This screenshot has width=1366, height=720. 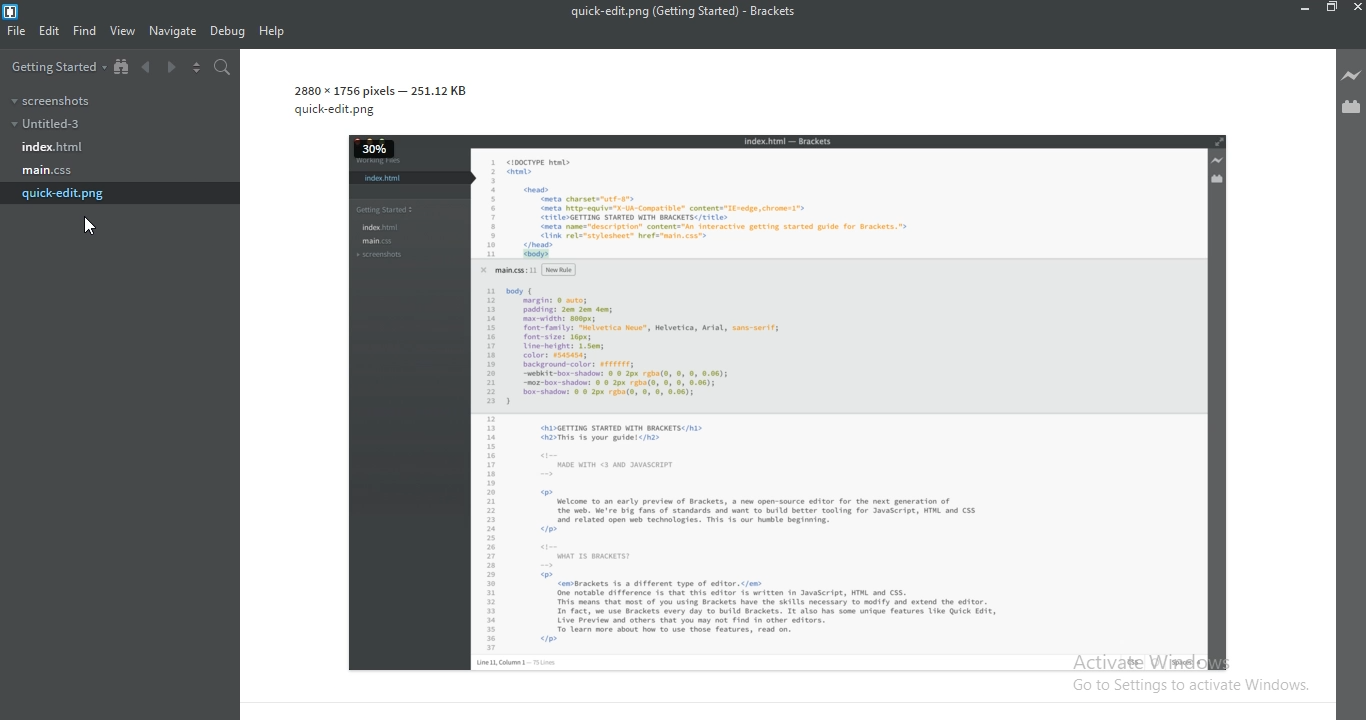 What do you see at coordinates (13, 10) in the screenshot?
I see `brackets icon` at bounding box center [13, 10].